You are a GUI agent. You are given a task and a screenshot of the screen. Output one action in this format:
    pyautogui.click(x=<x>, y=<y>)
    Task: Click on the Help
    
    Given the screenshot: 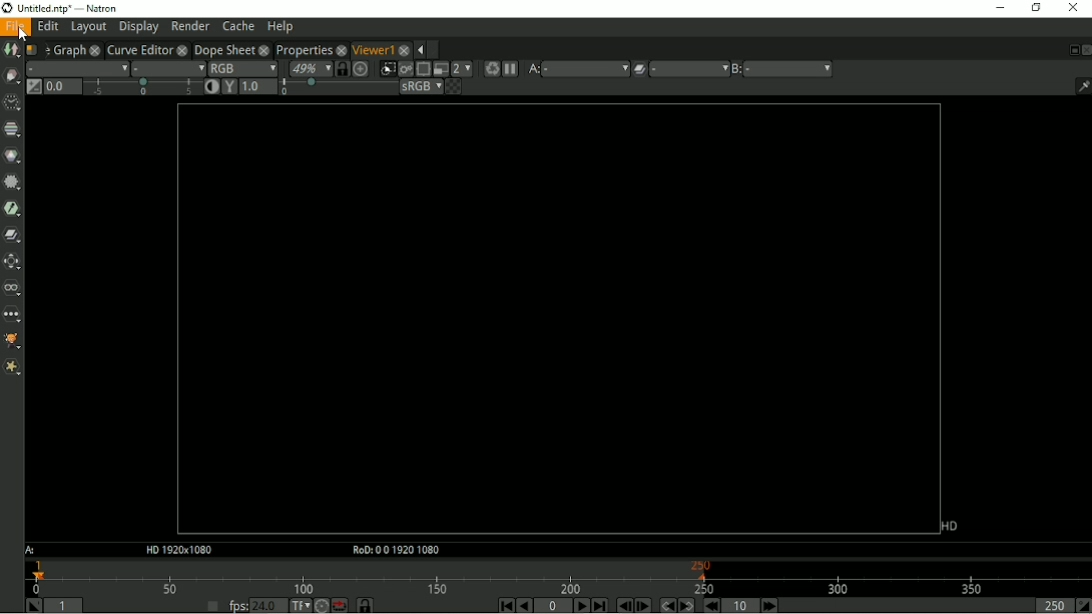 What is the action you would take?
    pyautogui.click(x=279, y=27)
    